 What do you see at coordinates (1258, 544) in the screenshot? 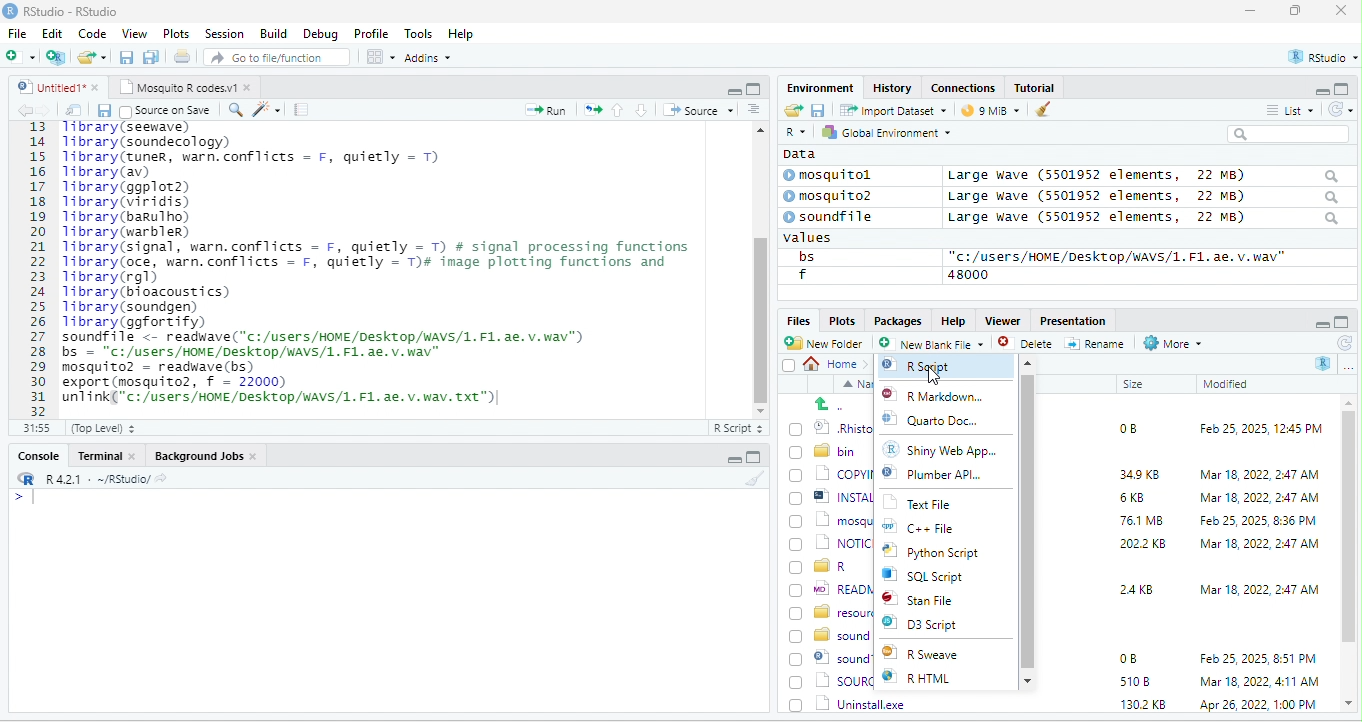
I see `‘Mar 18, 2022, 2:47 AM` at bounding box center [1258, 544].